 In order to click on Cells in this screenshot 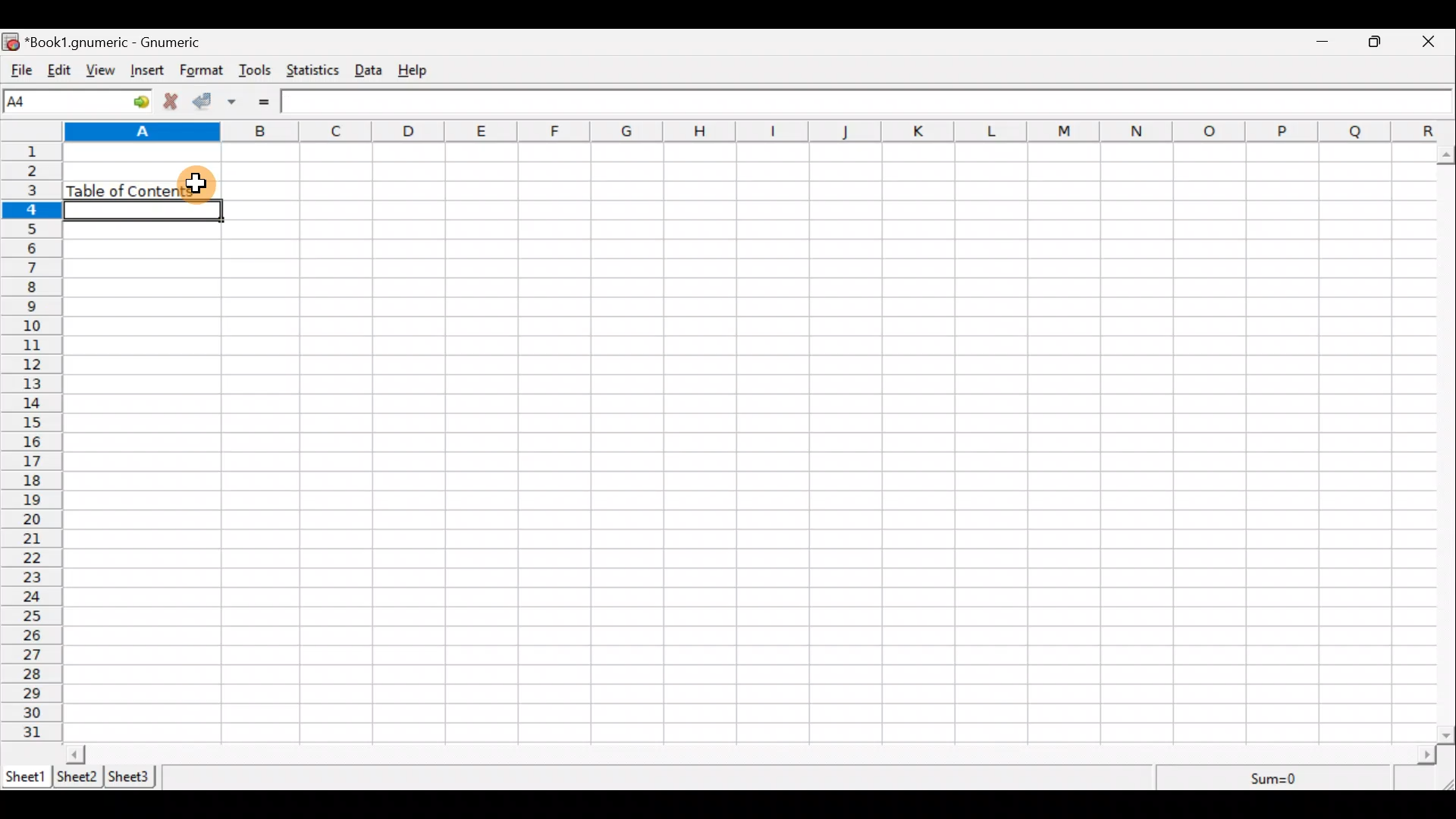, I will do `click(751, 445)`.